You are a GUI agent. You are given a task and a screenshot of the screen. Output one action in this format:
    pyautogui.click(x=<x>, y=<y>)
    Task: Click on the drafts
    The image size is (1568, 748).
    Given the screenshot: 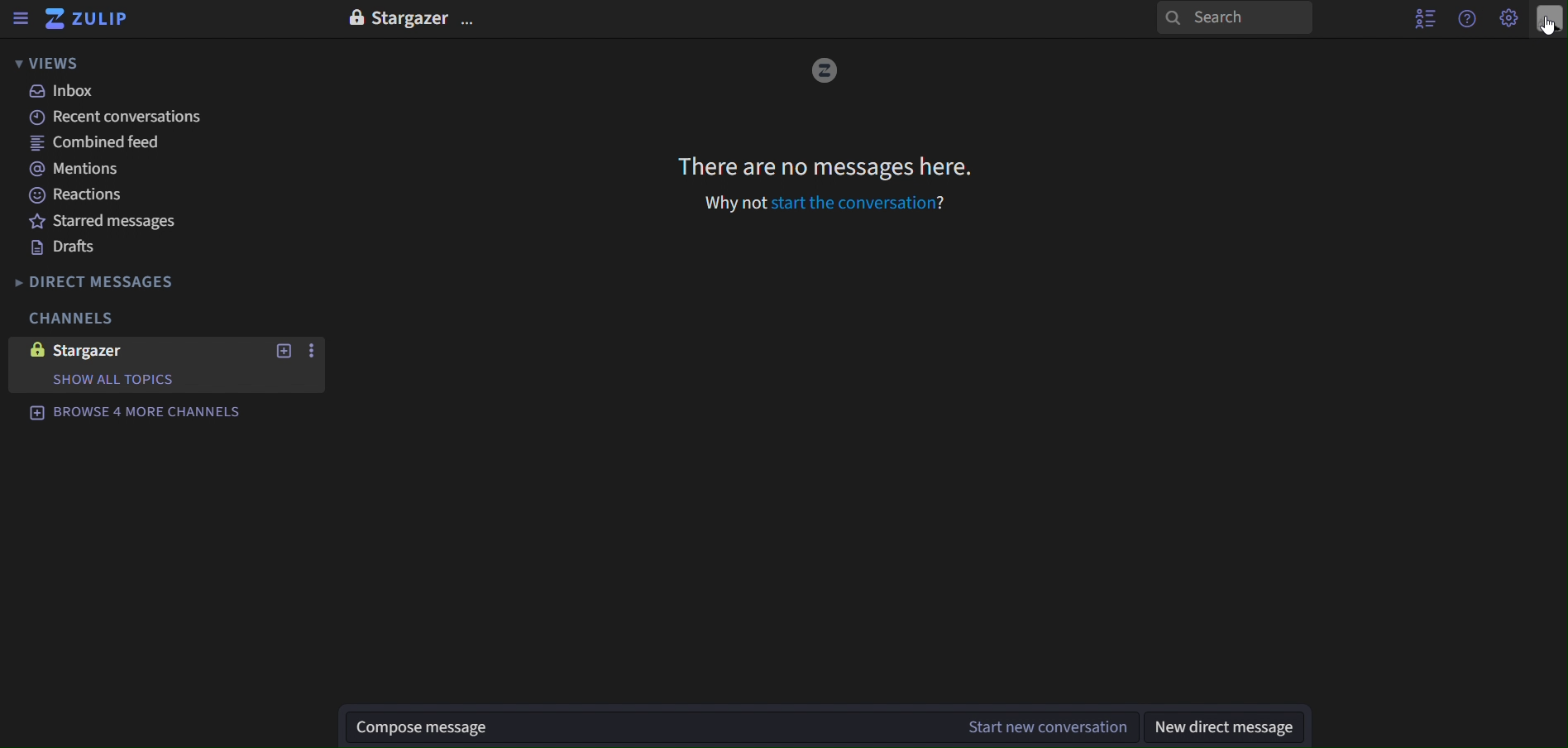 What is the action you would take?
    pyautogui.click(x=65, y=248)
    